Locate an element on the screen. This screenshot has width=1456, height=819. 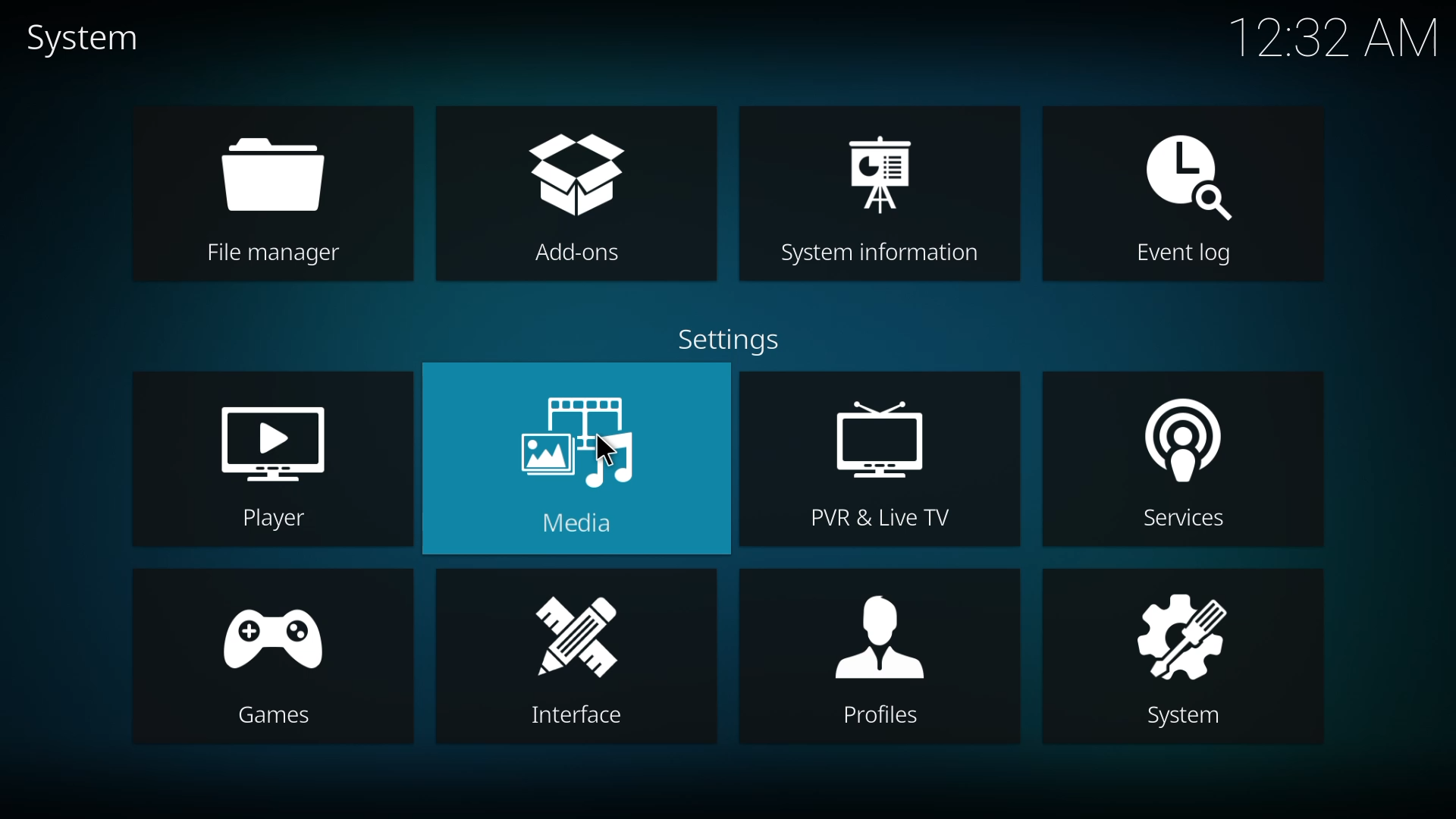
services is located at coordinates (1183, 464).